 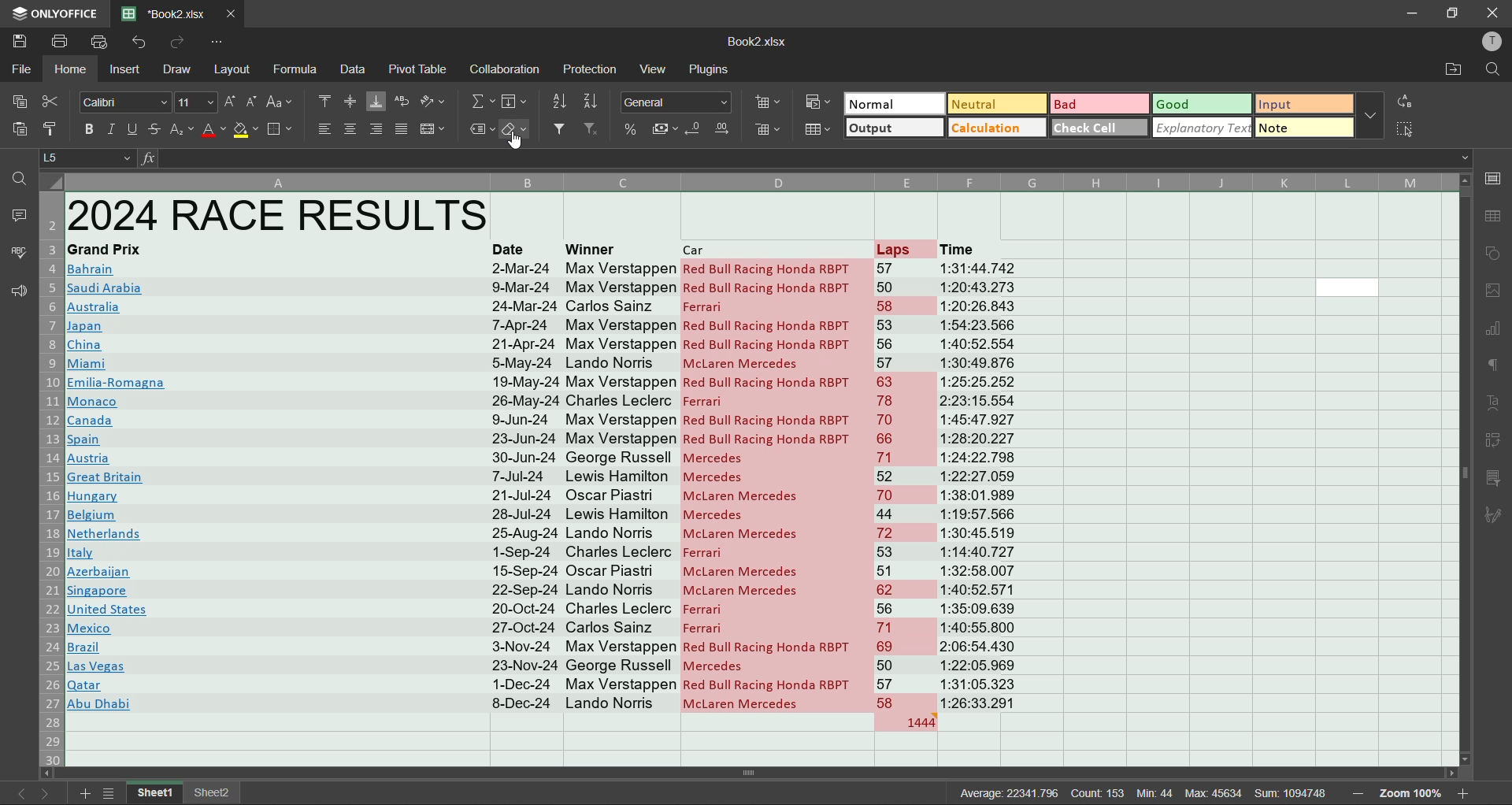 I want to click on profile, so click(x=1489, y=43).